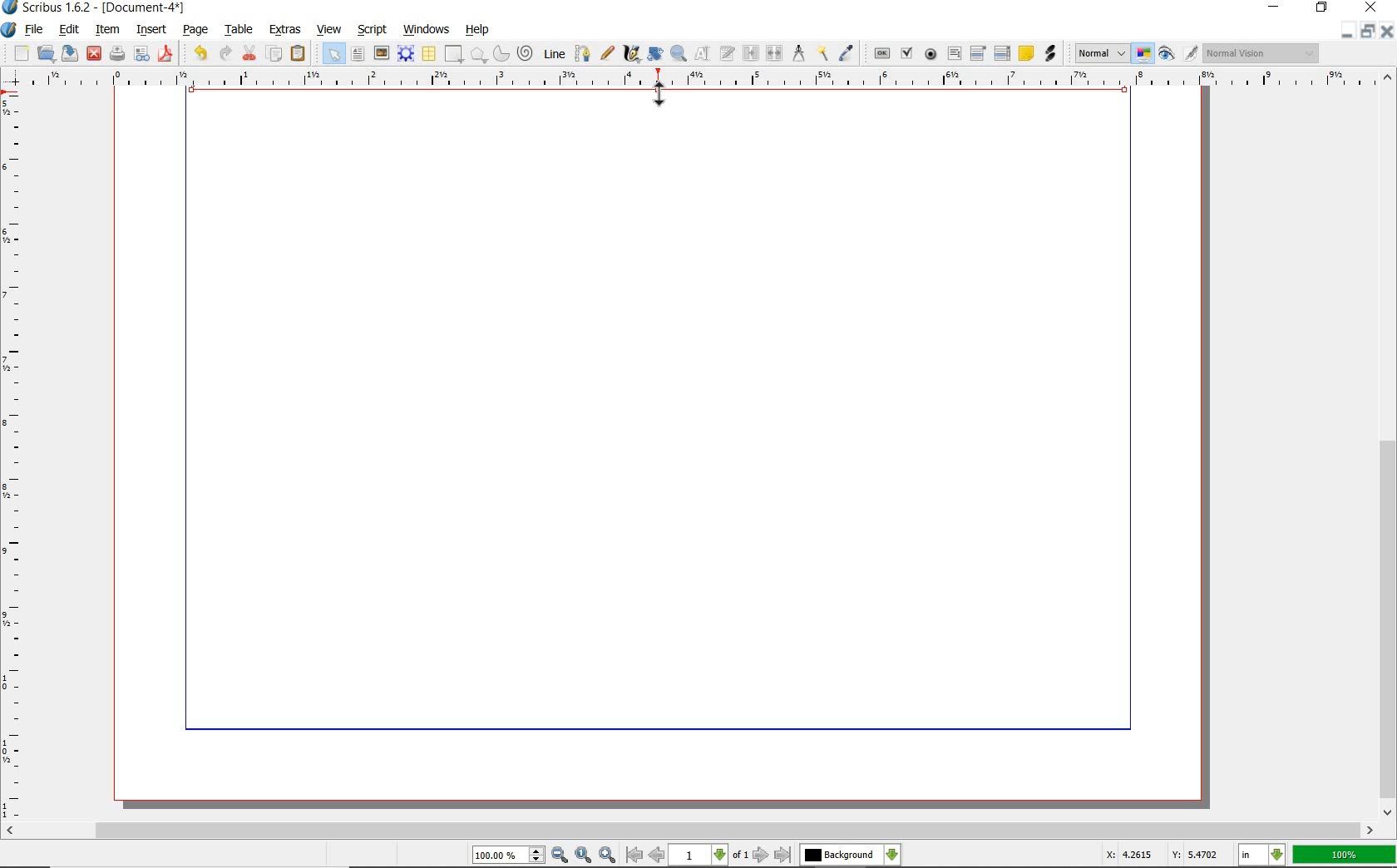 This screenshot has width=1397, height=868. I want to click on close, so click(1370, 8).